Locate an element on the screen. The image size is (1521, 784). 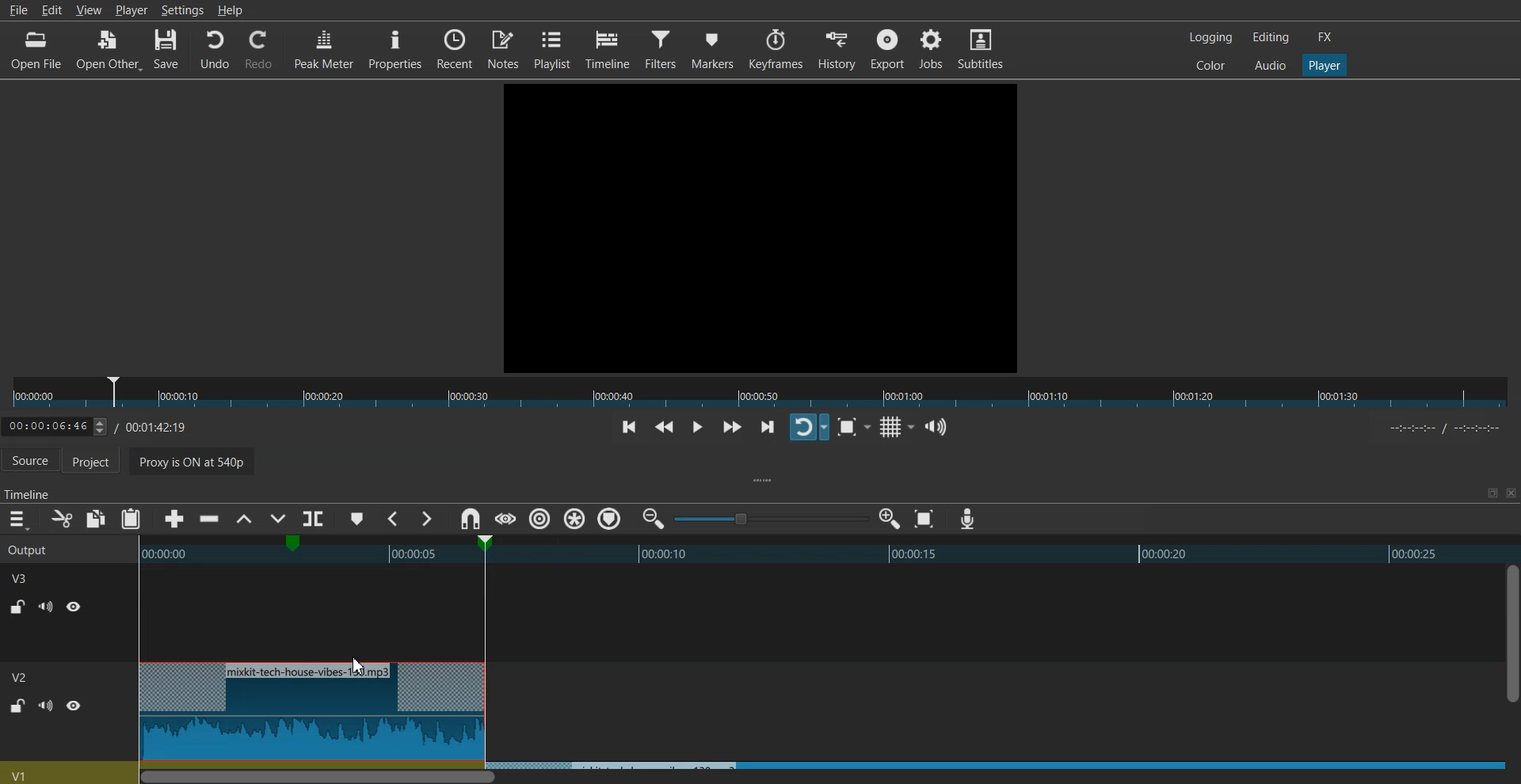
Skip to next point is located at coordinates (769, 428).